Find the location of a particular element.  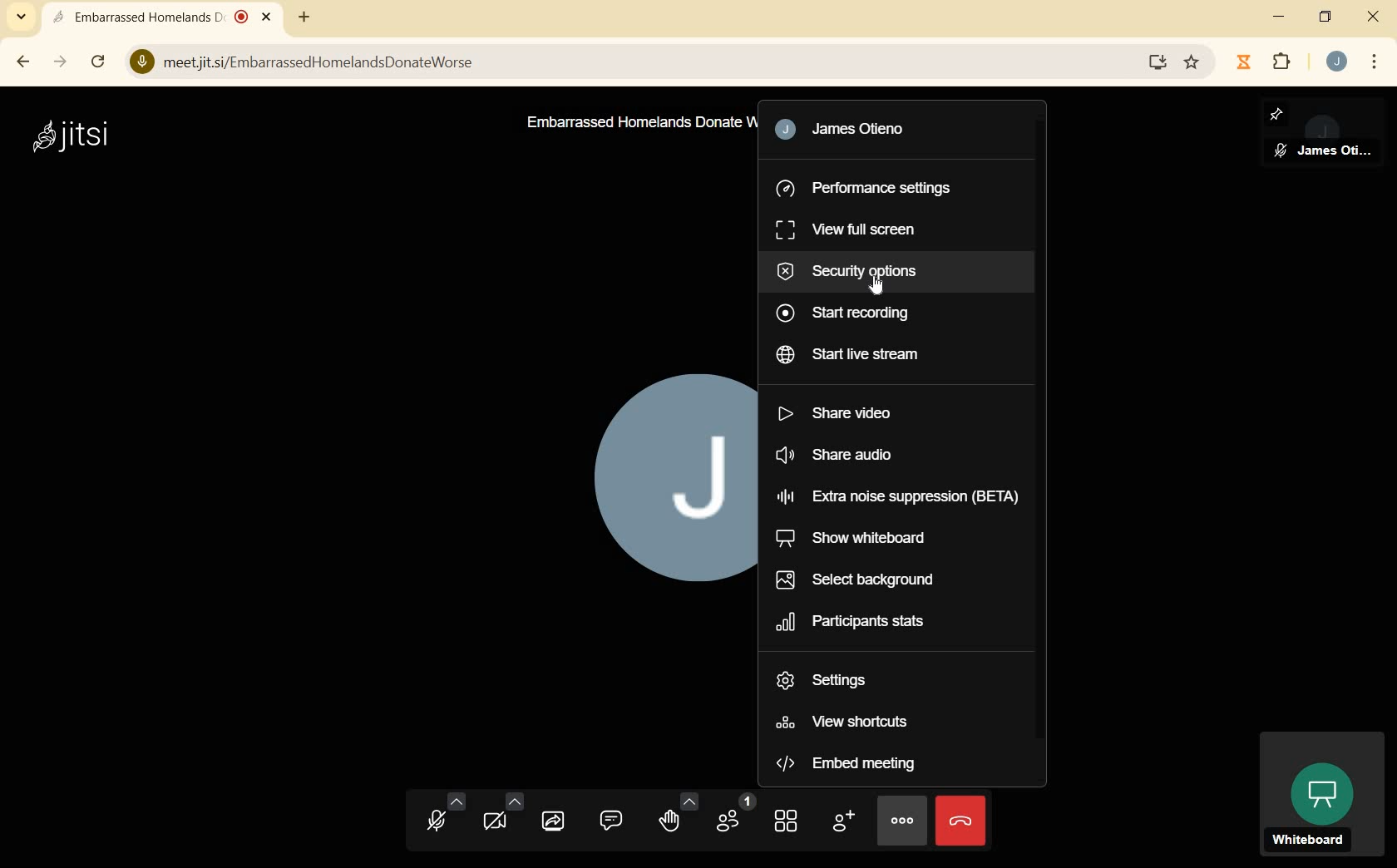

search tabs is located at coordinates (21, 17).